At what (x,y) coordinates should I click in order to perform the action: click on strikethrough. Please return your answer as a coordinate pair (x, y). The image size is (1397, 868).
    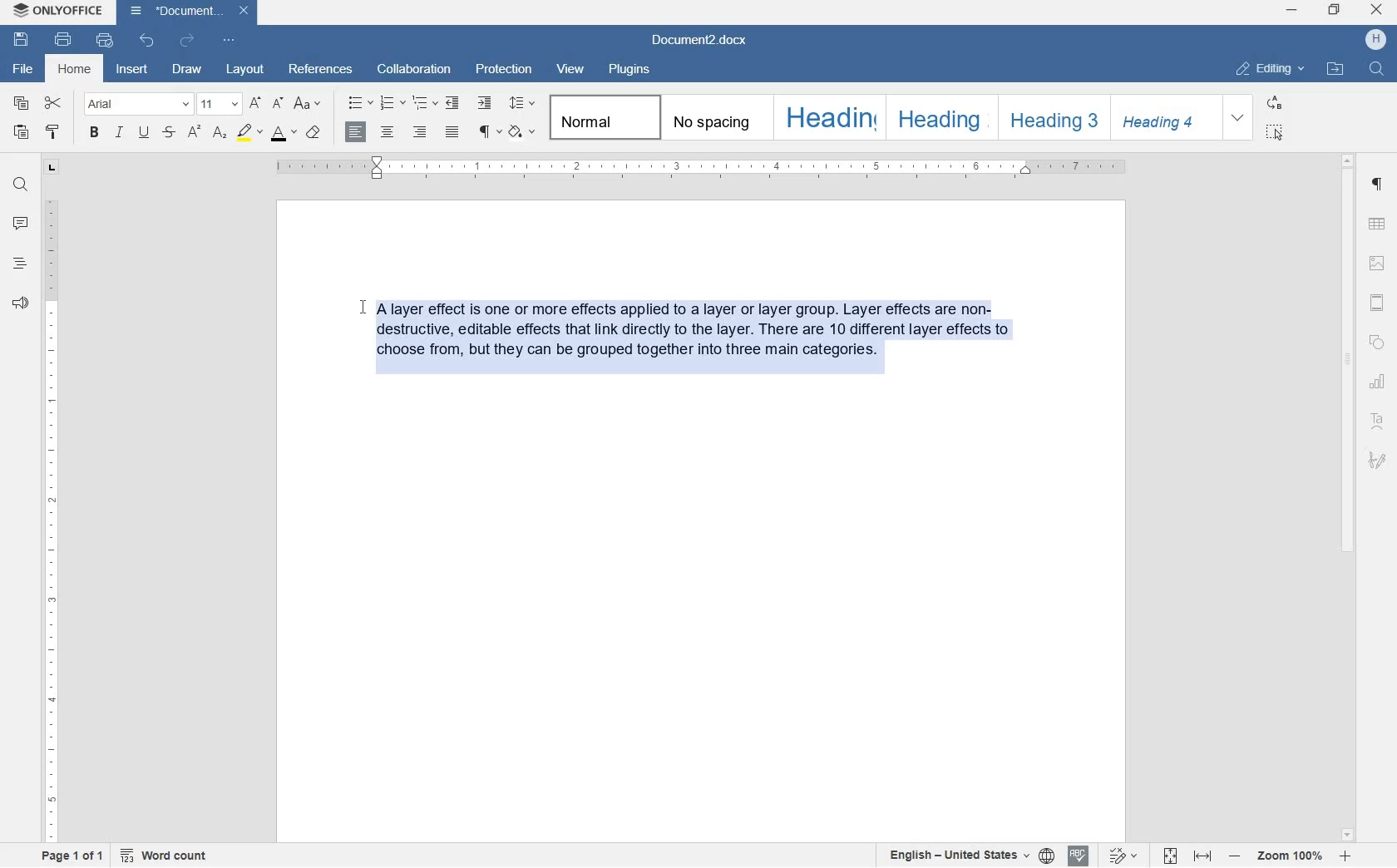
    Looking at the image, I should click on (170, 133).